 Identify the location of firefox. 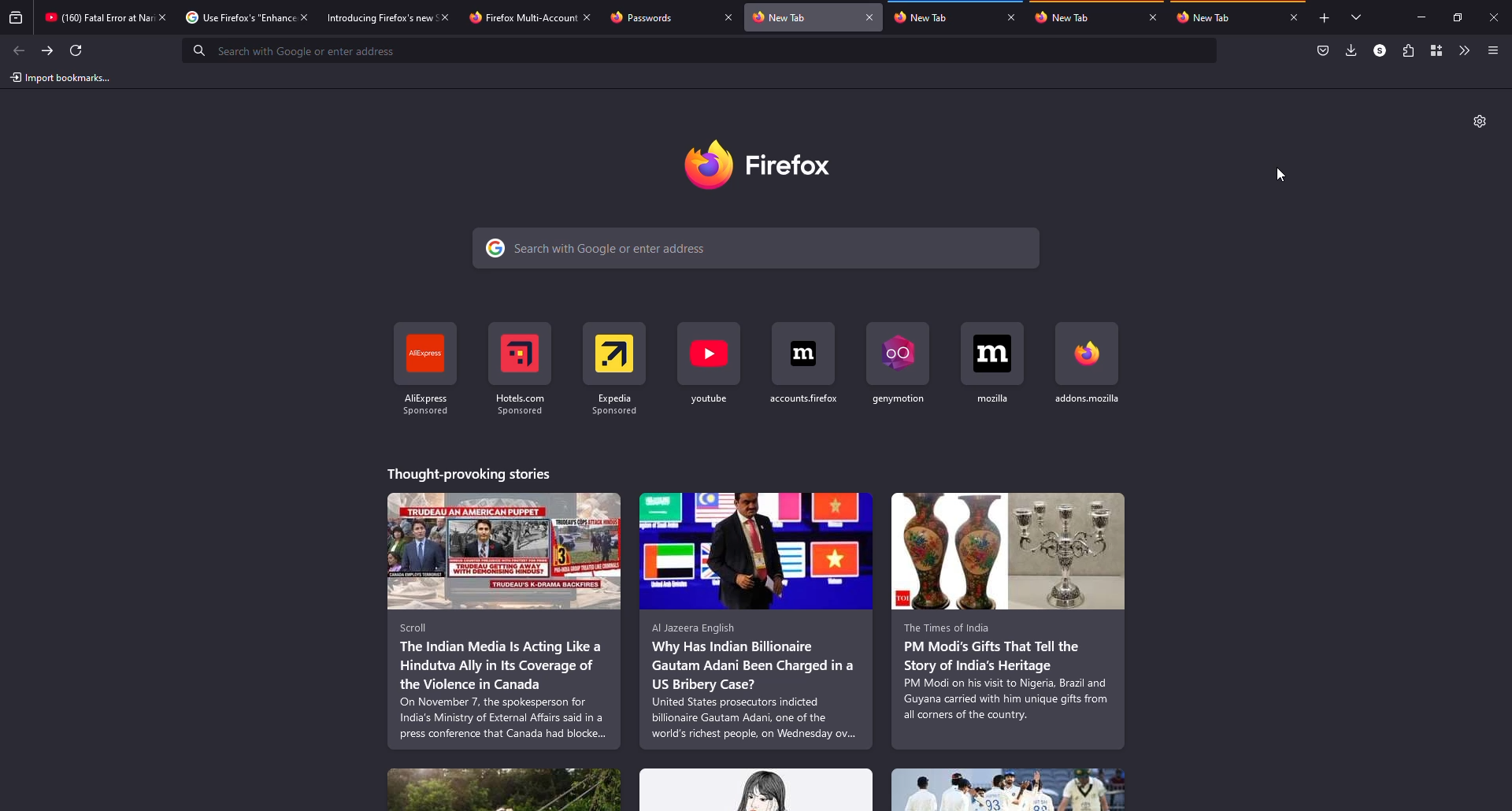
(778, 165).